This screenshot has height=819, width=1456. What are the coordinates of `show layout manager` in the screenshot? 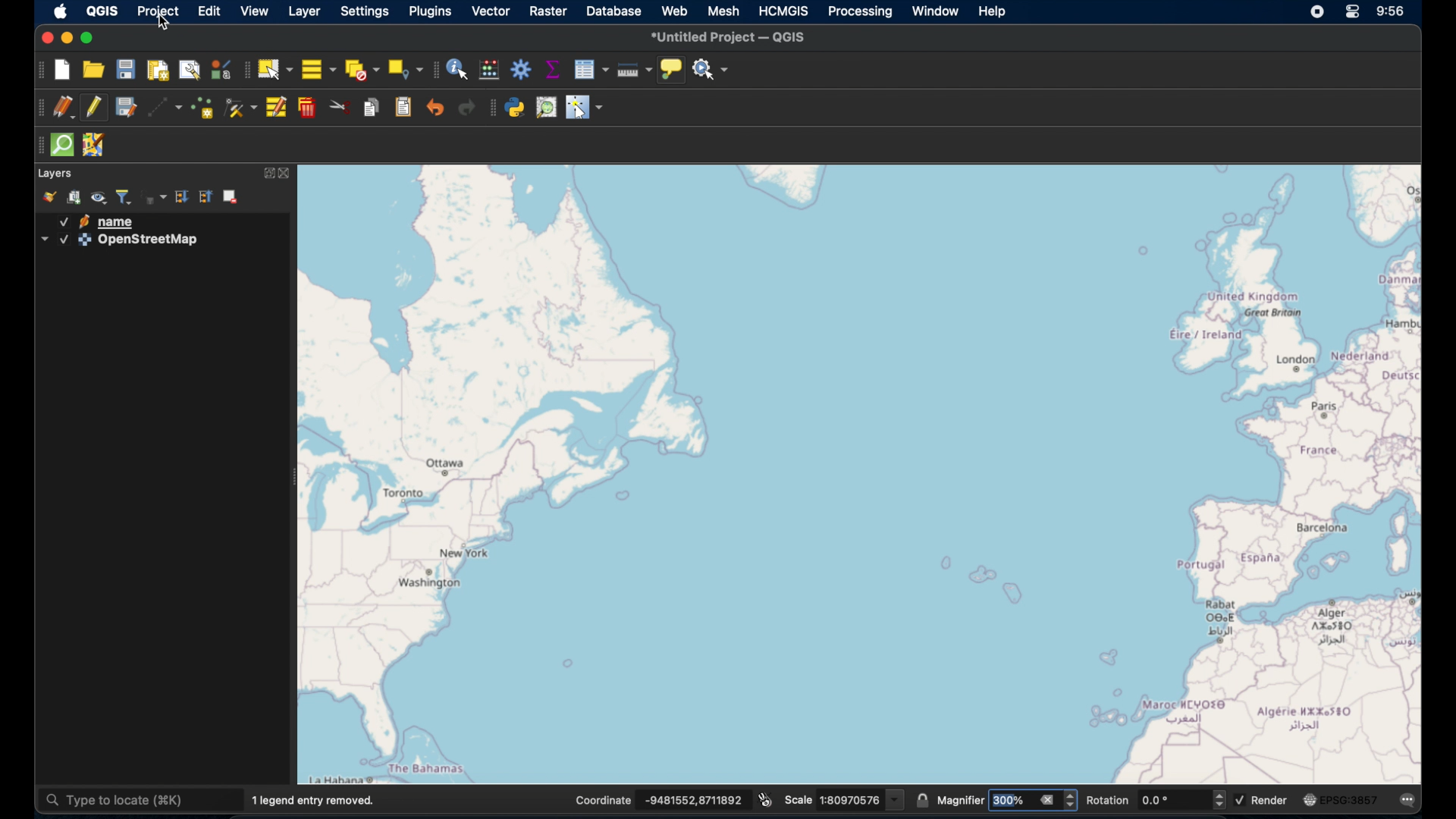 It's located at (190, 69).